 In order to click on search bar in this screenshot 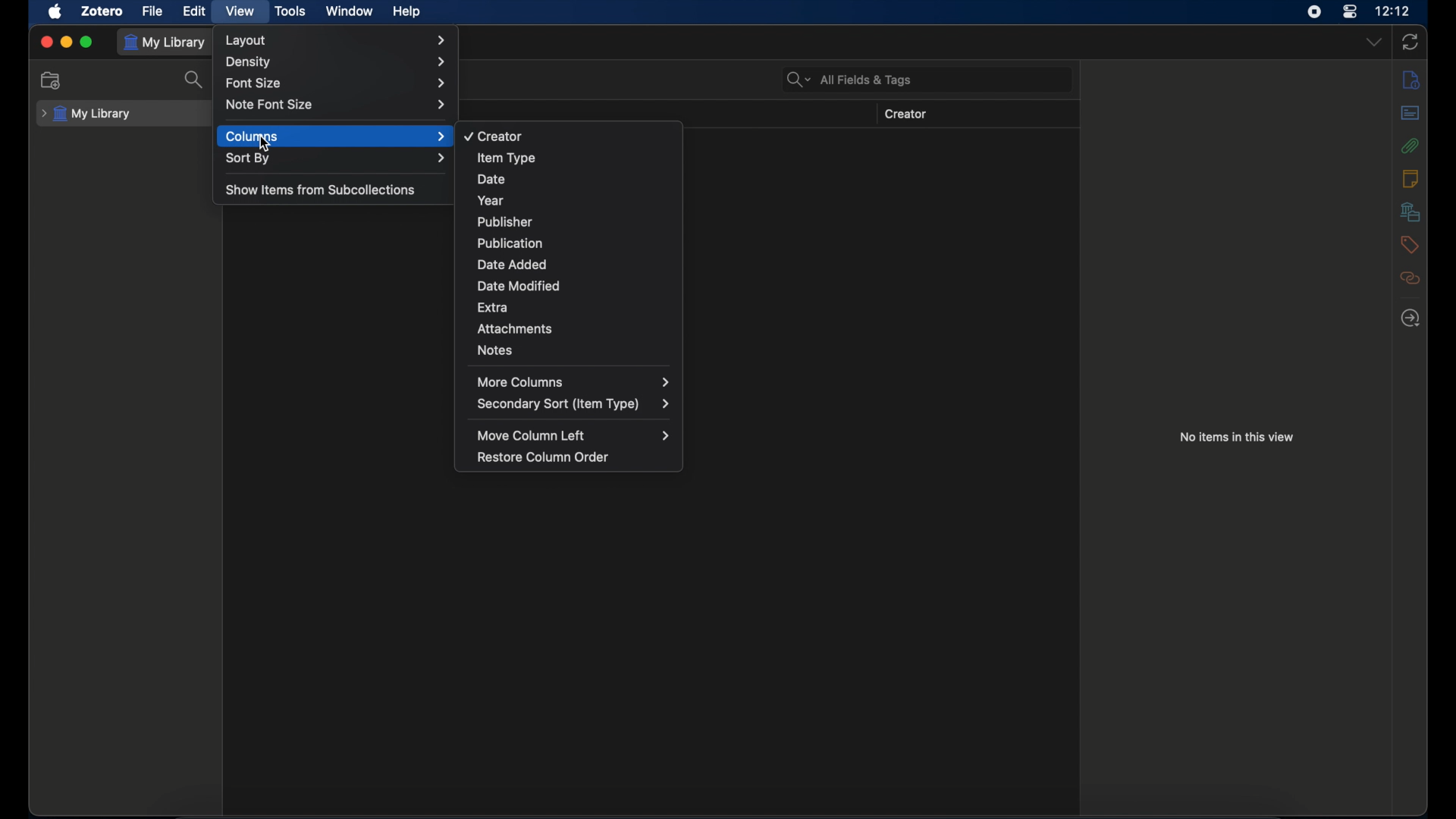, I will do `click(849, 79)`.